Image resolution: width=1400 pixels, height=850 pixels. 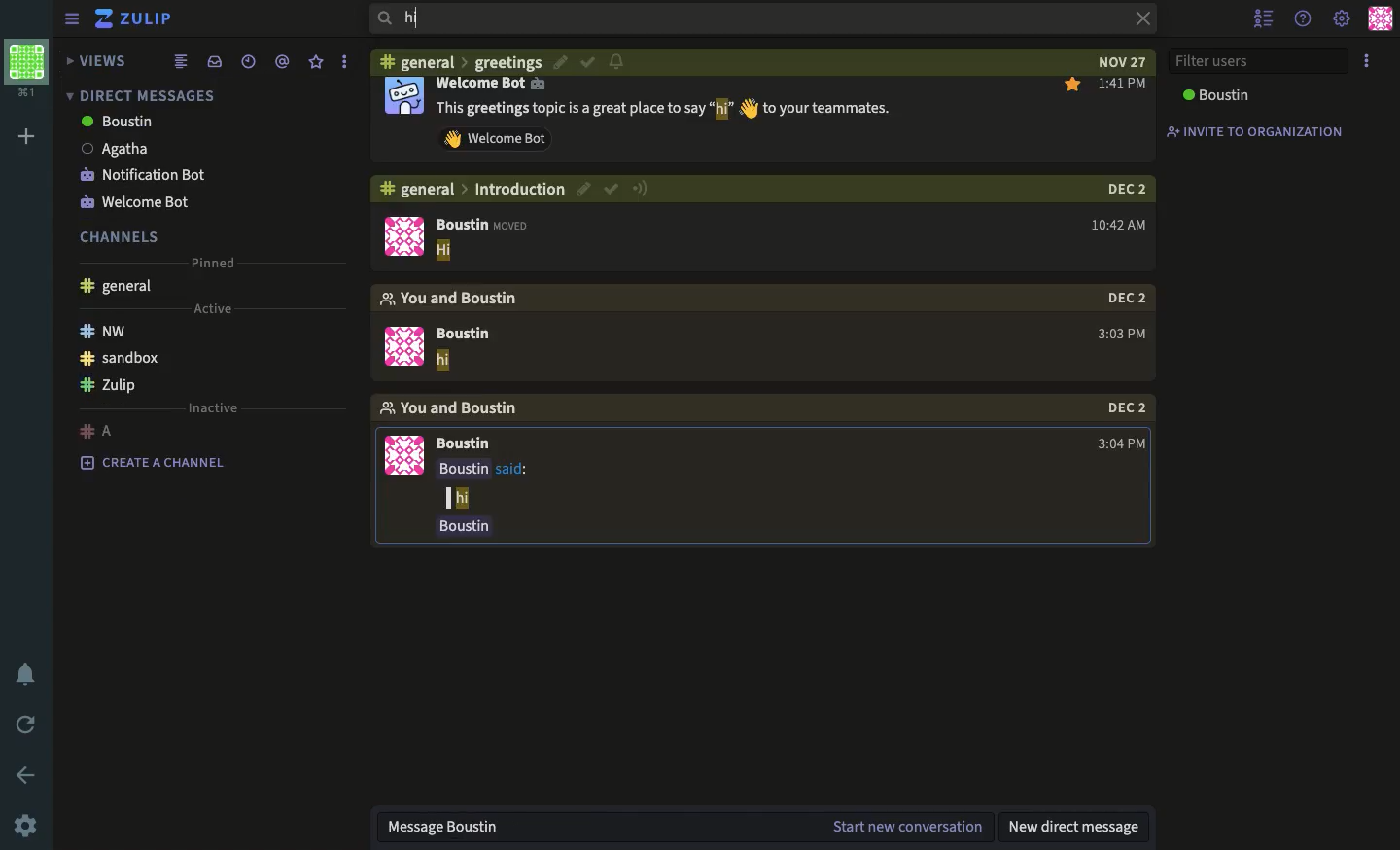 I want to click on Zulip, so click(x=112, y=382).